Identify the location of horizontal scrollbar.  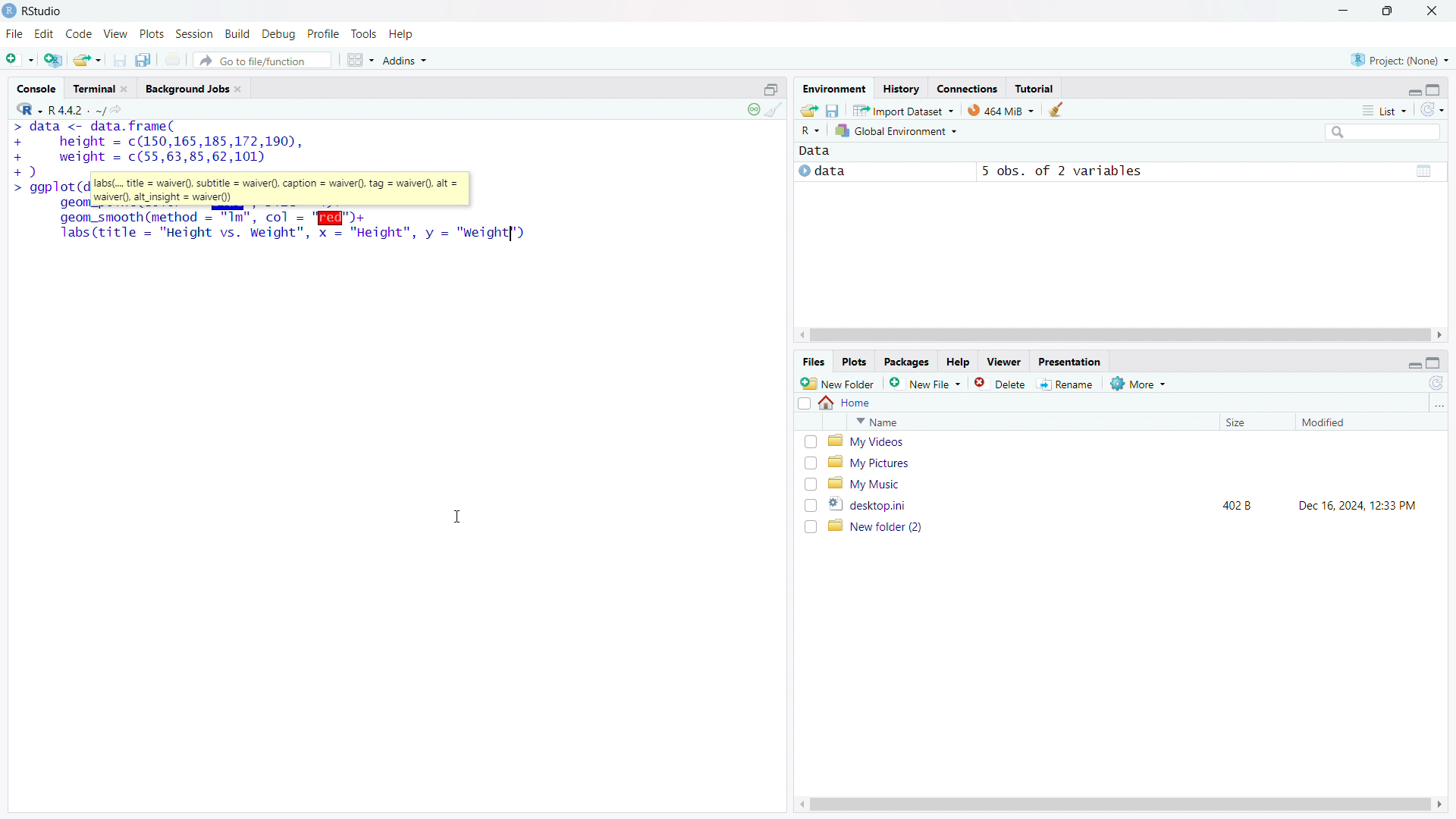
(1119, 804).